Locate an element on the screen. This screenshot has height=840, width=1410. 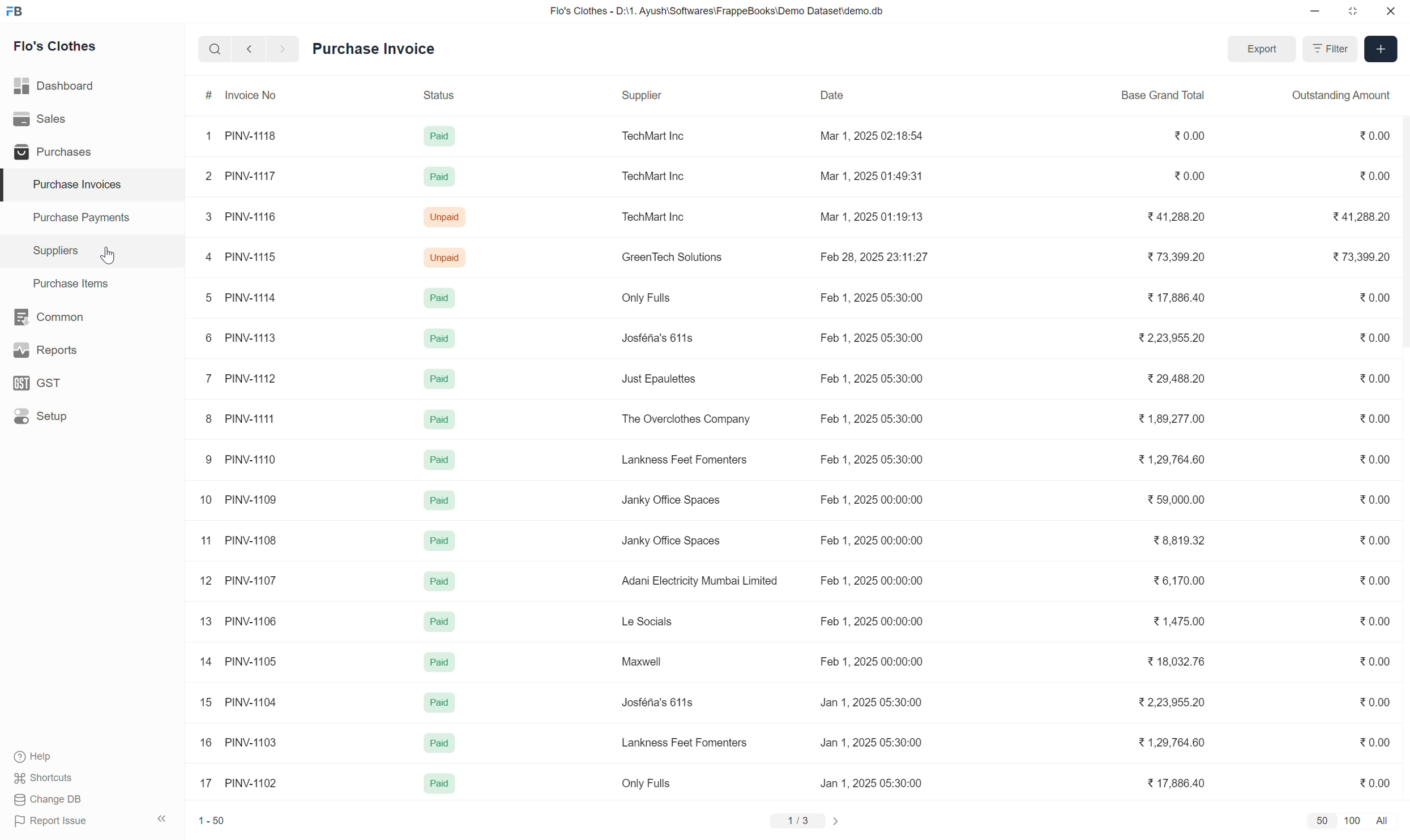
GreenTech Solutions is located at coordinates (669, 257).